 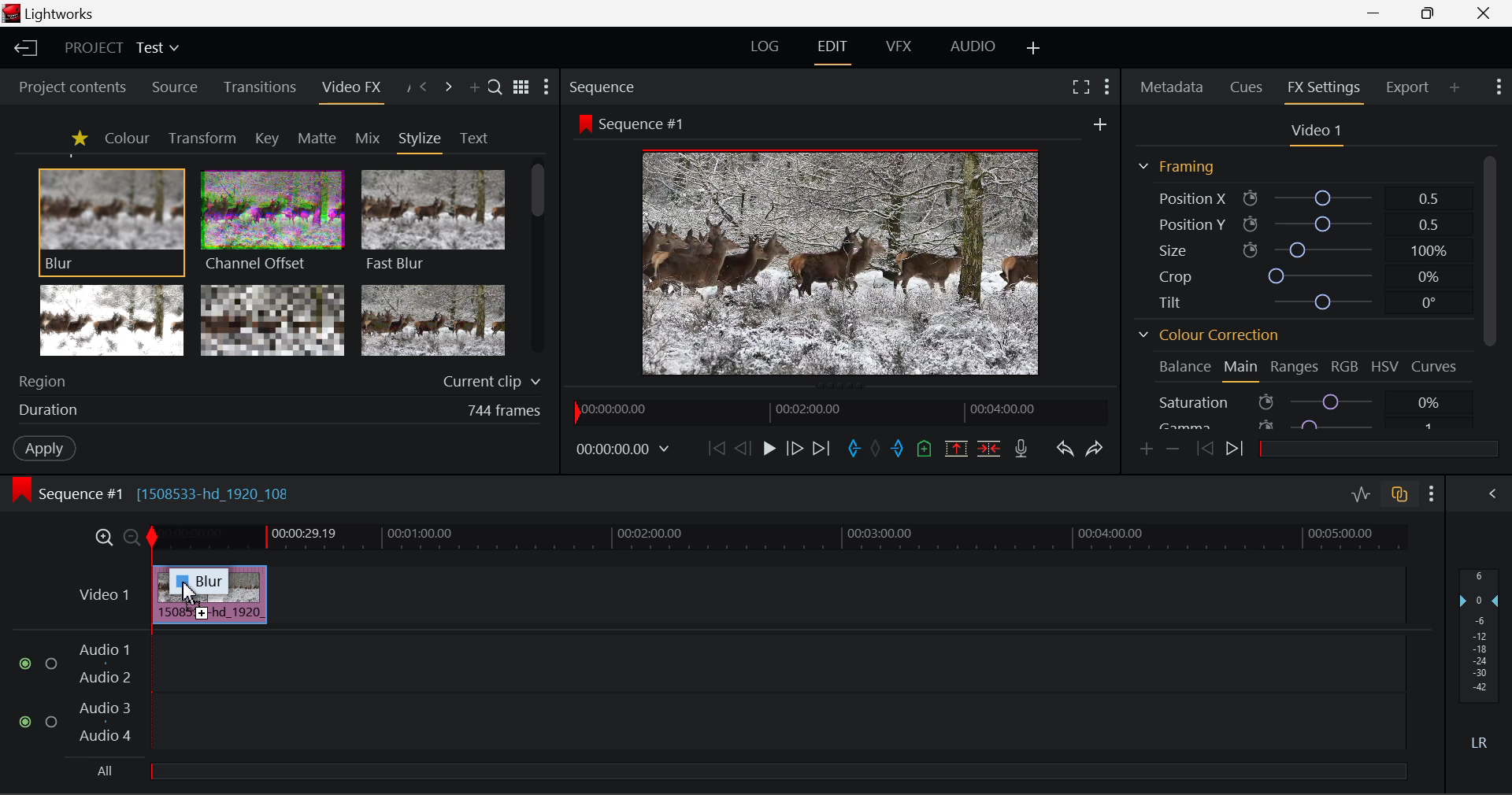 I want to click on Remove keyframe, so click(x=1173, y=448).